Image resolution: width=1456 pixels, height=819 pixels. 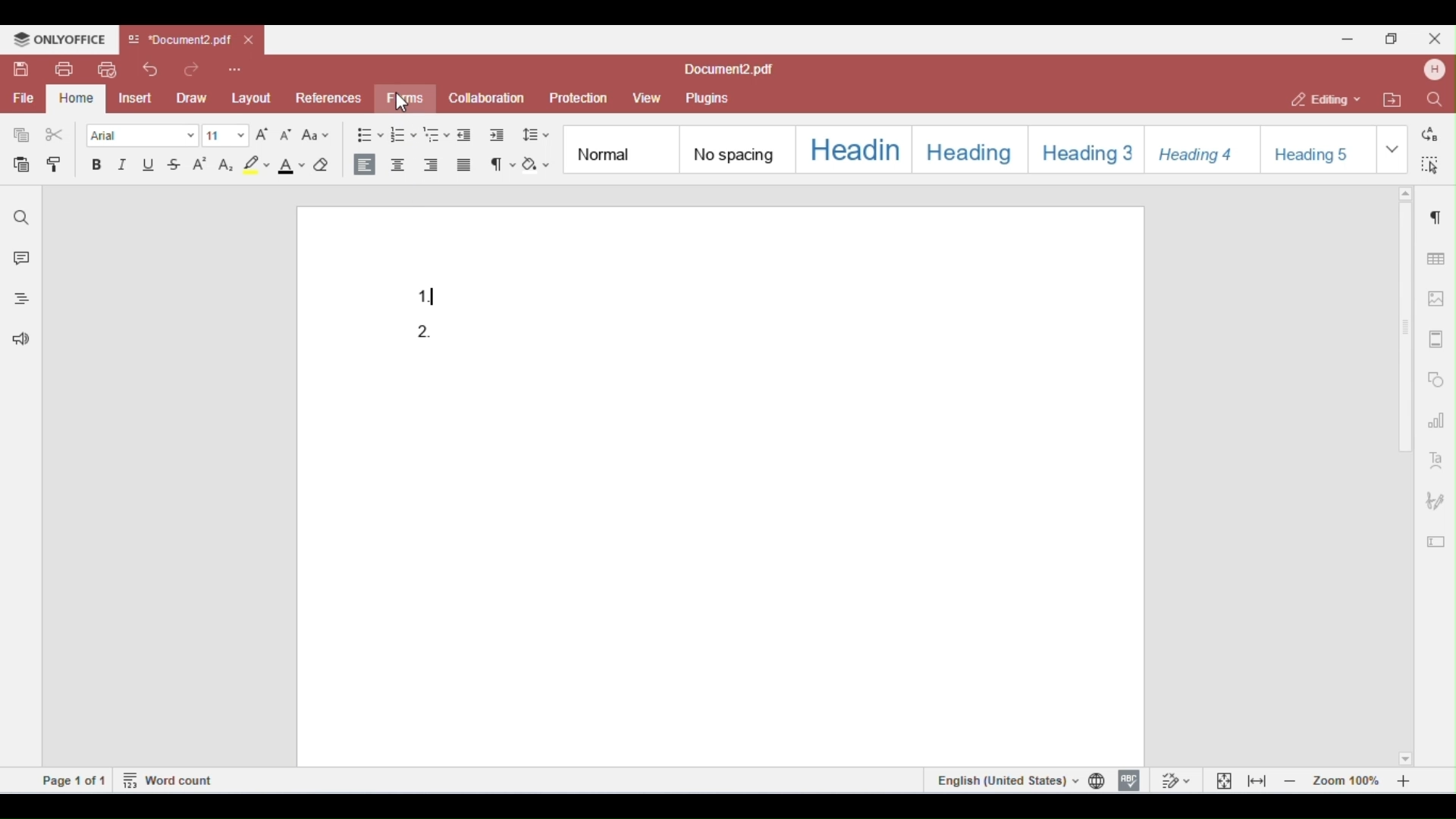 I want to click on find, so click(x=1433, y=99).